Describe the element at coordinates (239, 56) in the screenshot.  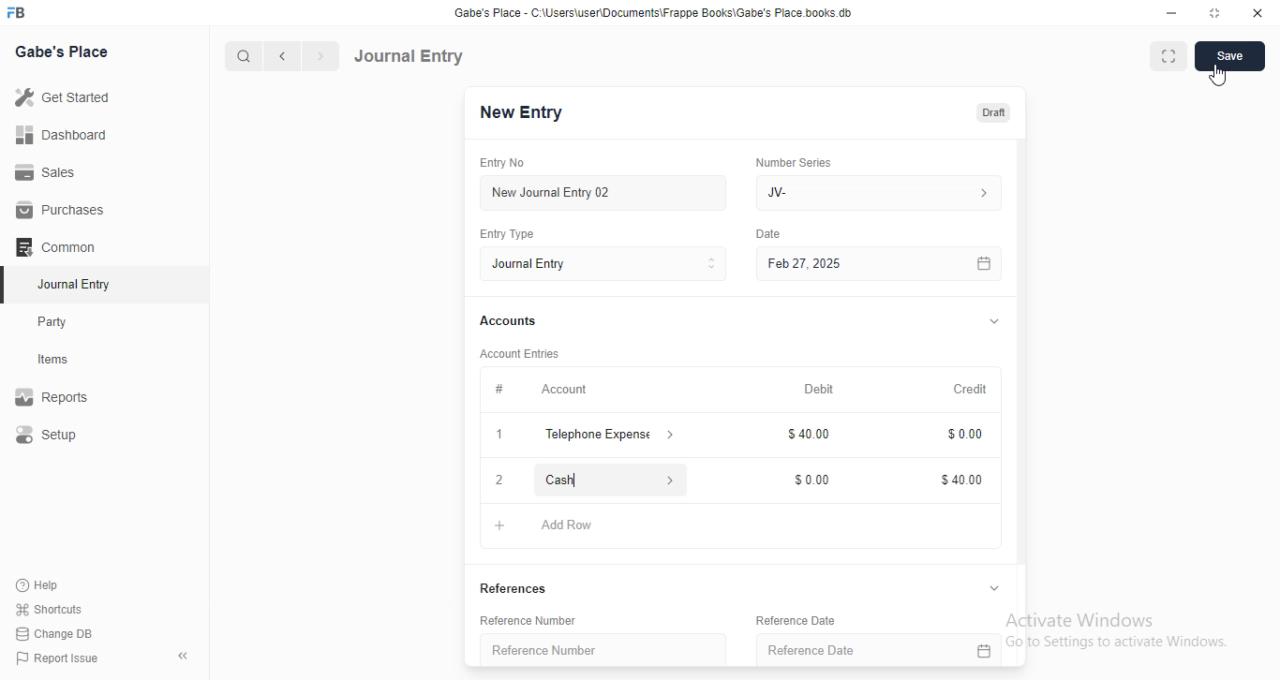
I see `Search` at that location.